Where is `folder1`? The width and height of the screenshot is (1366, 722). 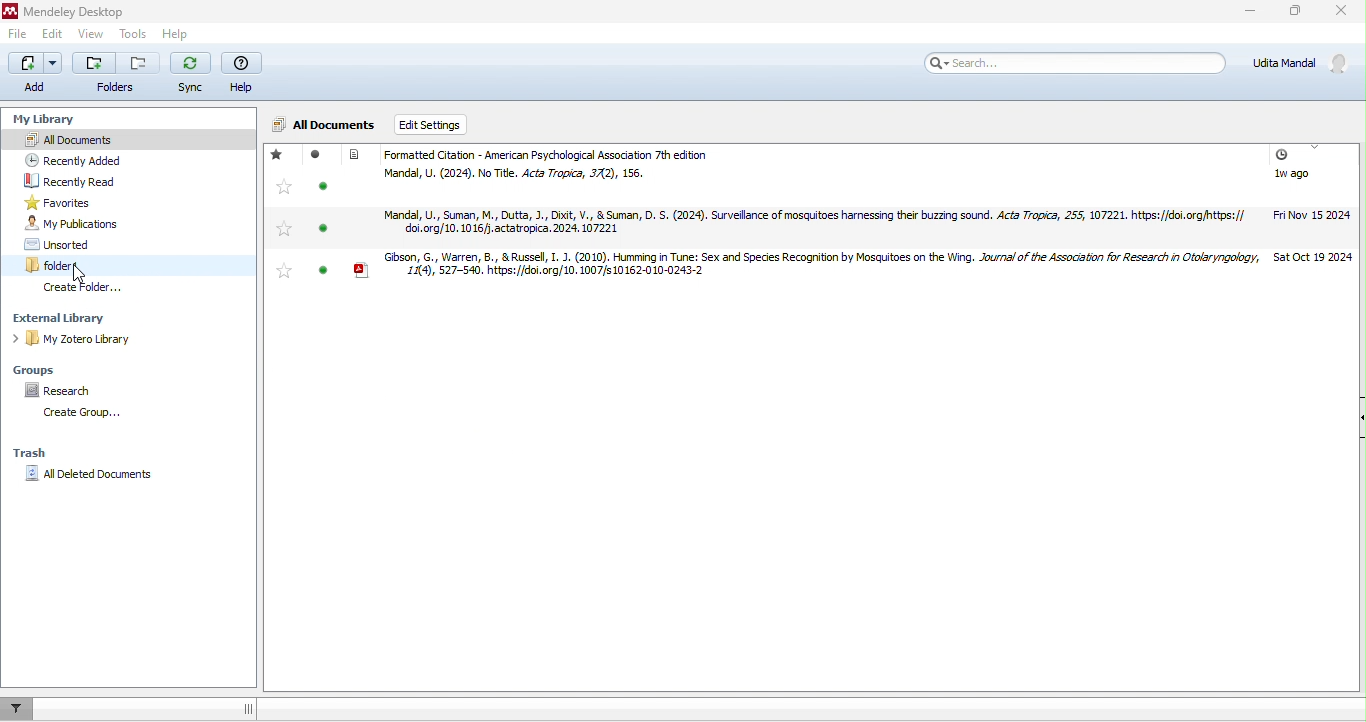
folder1 is located at coordinates (93, 265).